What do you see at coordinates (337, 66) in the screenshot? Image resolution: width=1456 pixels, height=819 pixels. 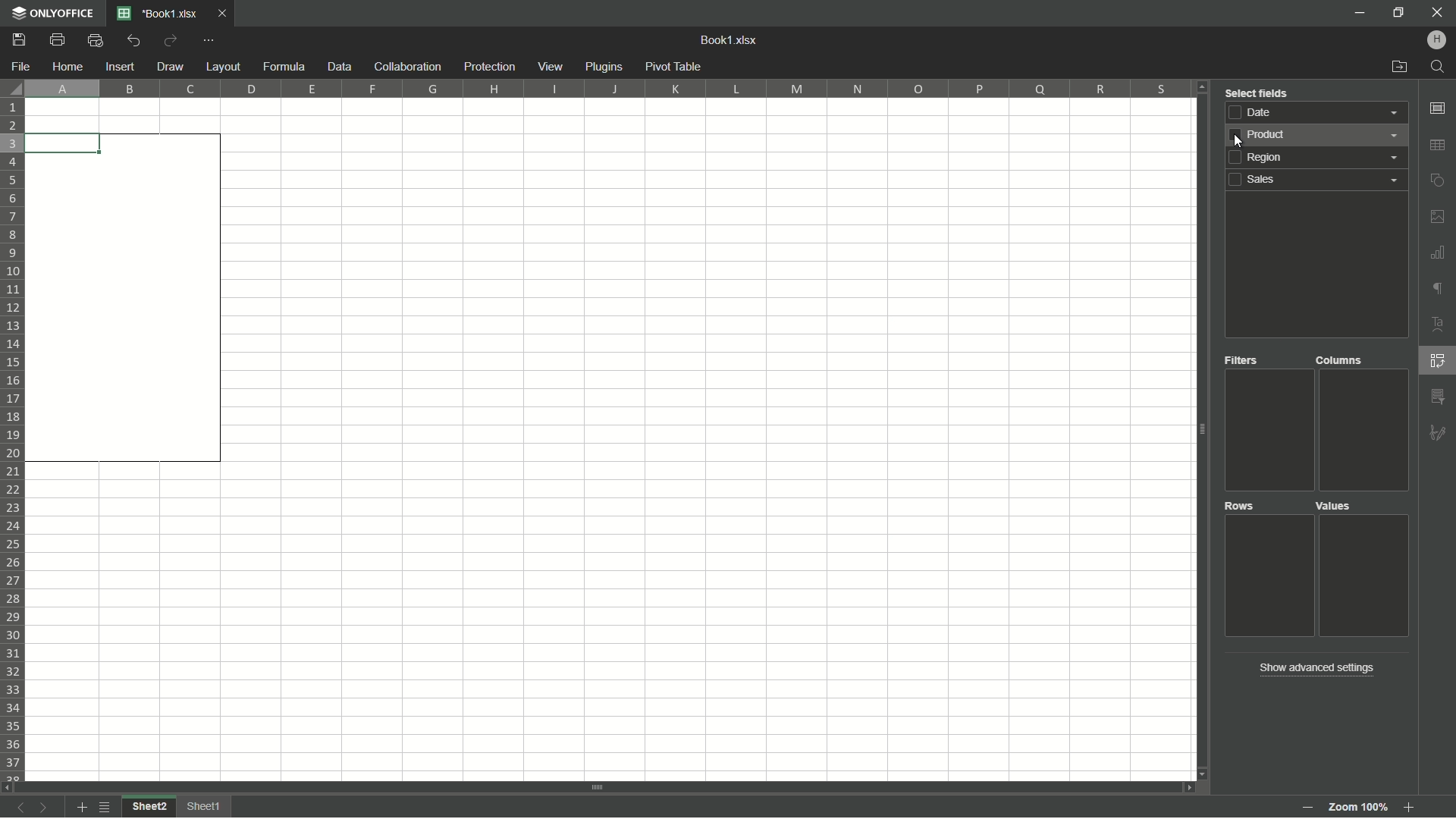 I see `Data` at bounding box center [337, 66].